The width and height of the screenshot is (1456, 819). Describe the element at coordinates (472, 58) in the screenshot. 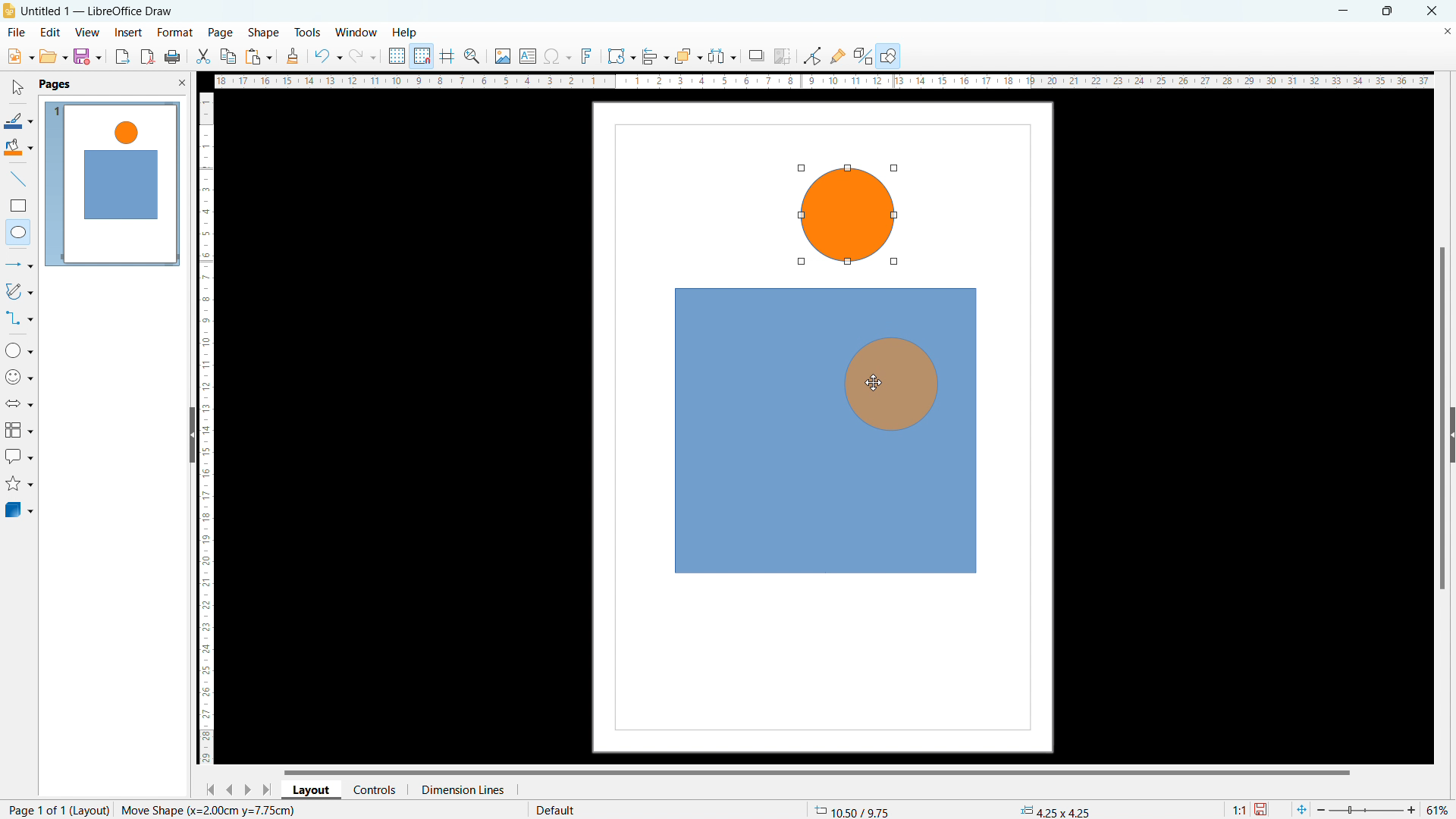

I see `zoom and pan` at that location.